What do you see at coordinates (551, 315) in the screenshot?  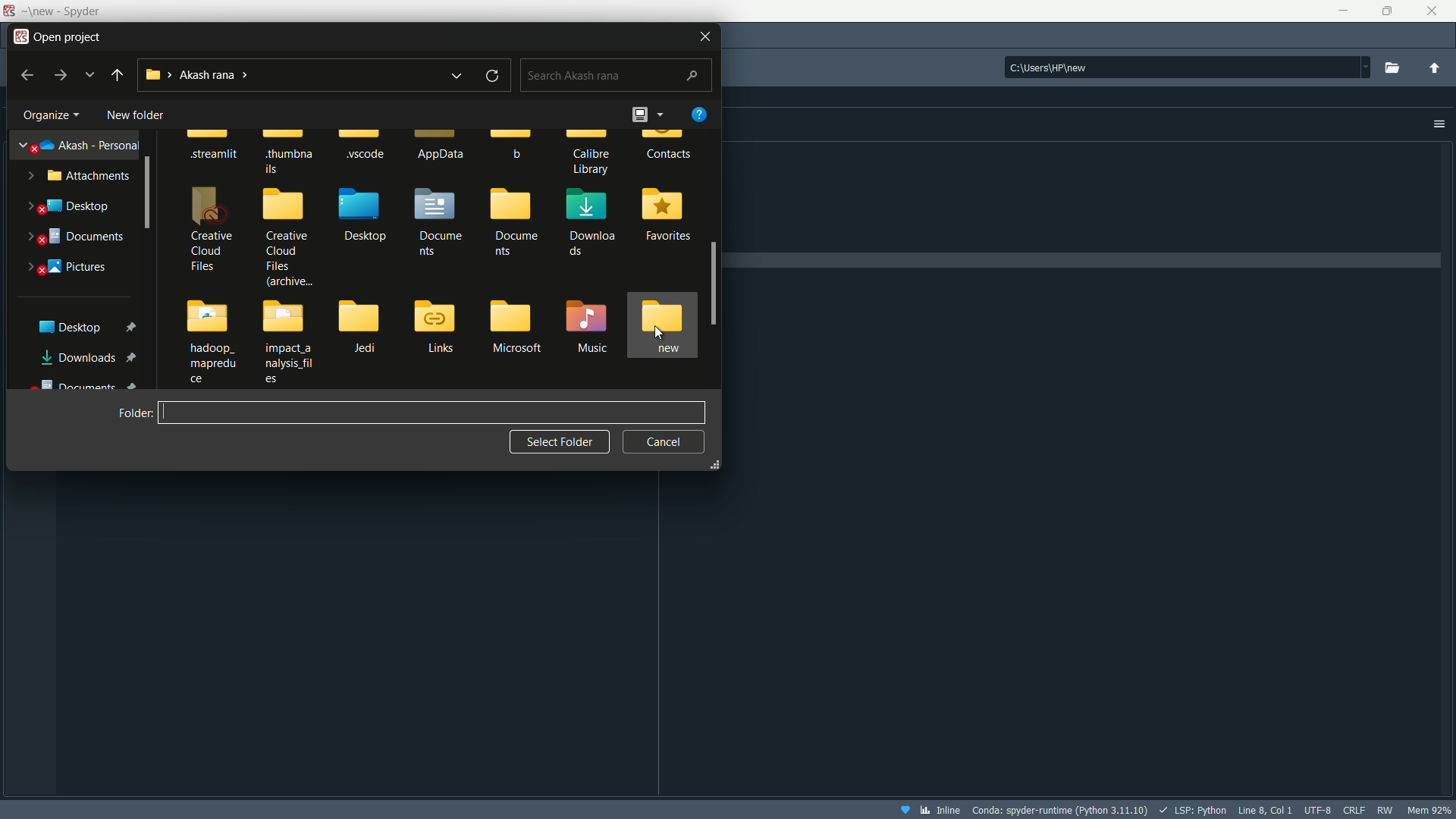 I see `Cursor` at bounding box center [551, 315].